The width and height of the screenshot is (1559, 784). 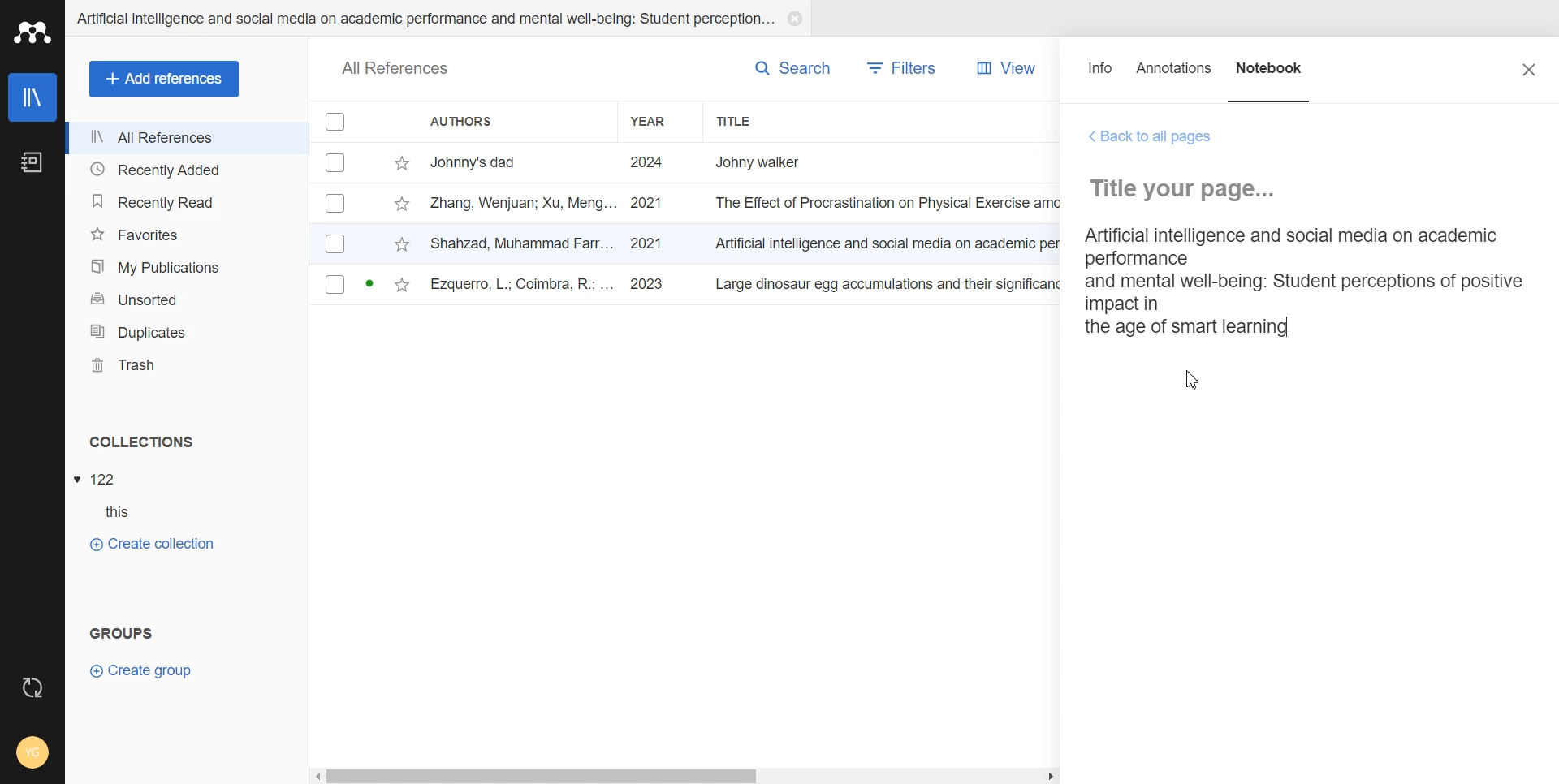 What do you see at coordinates (335, 284) in the screenshot?
I see `Checkbox` at bounding box center [335, 284].